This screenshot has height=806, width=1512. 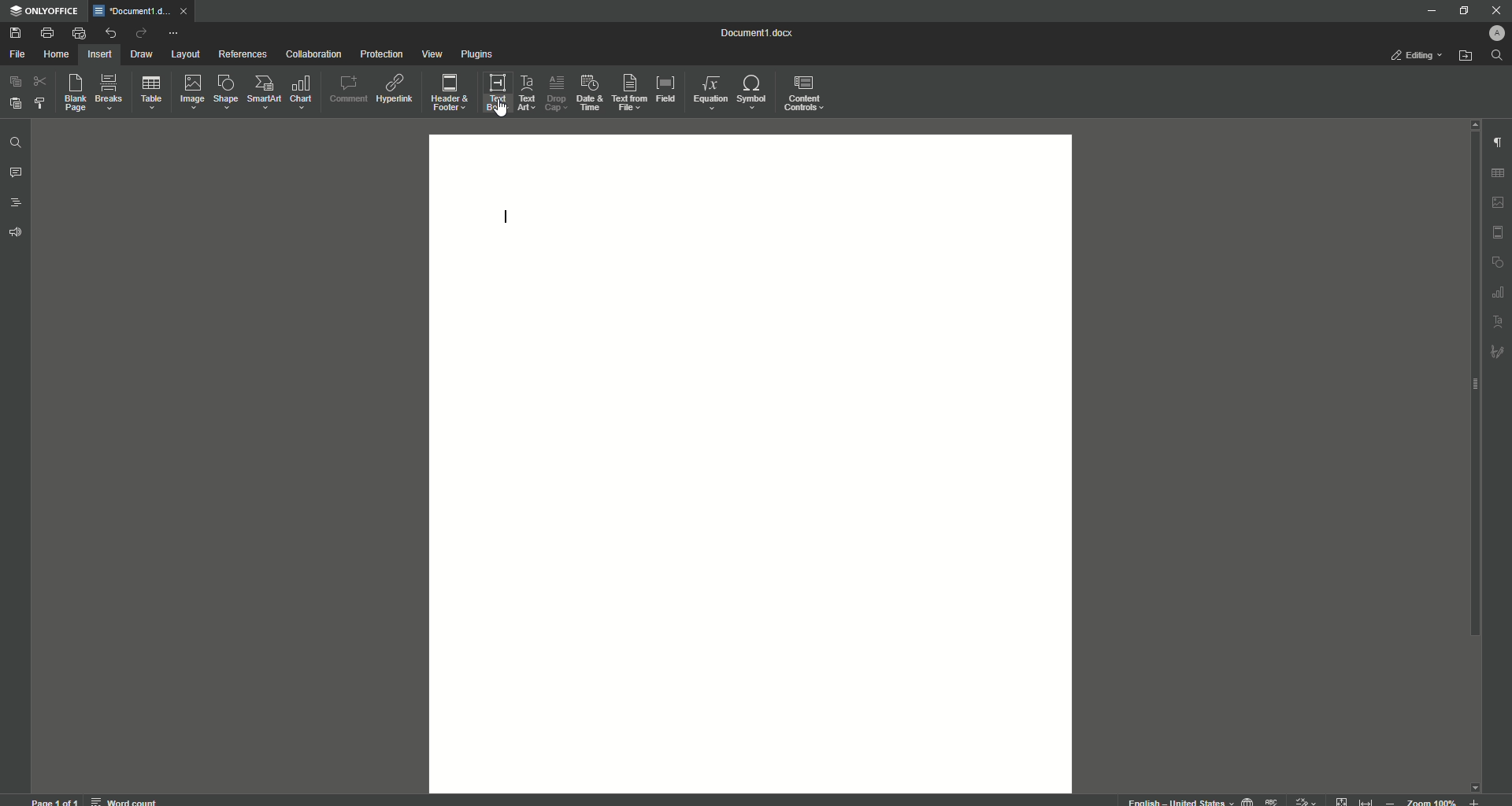 I want to click on , so click(x=381, y=56).